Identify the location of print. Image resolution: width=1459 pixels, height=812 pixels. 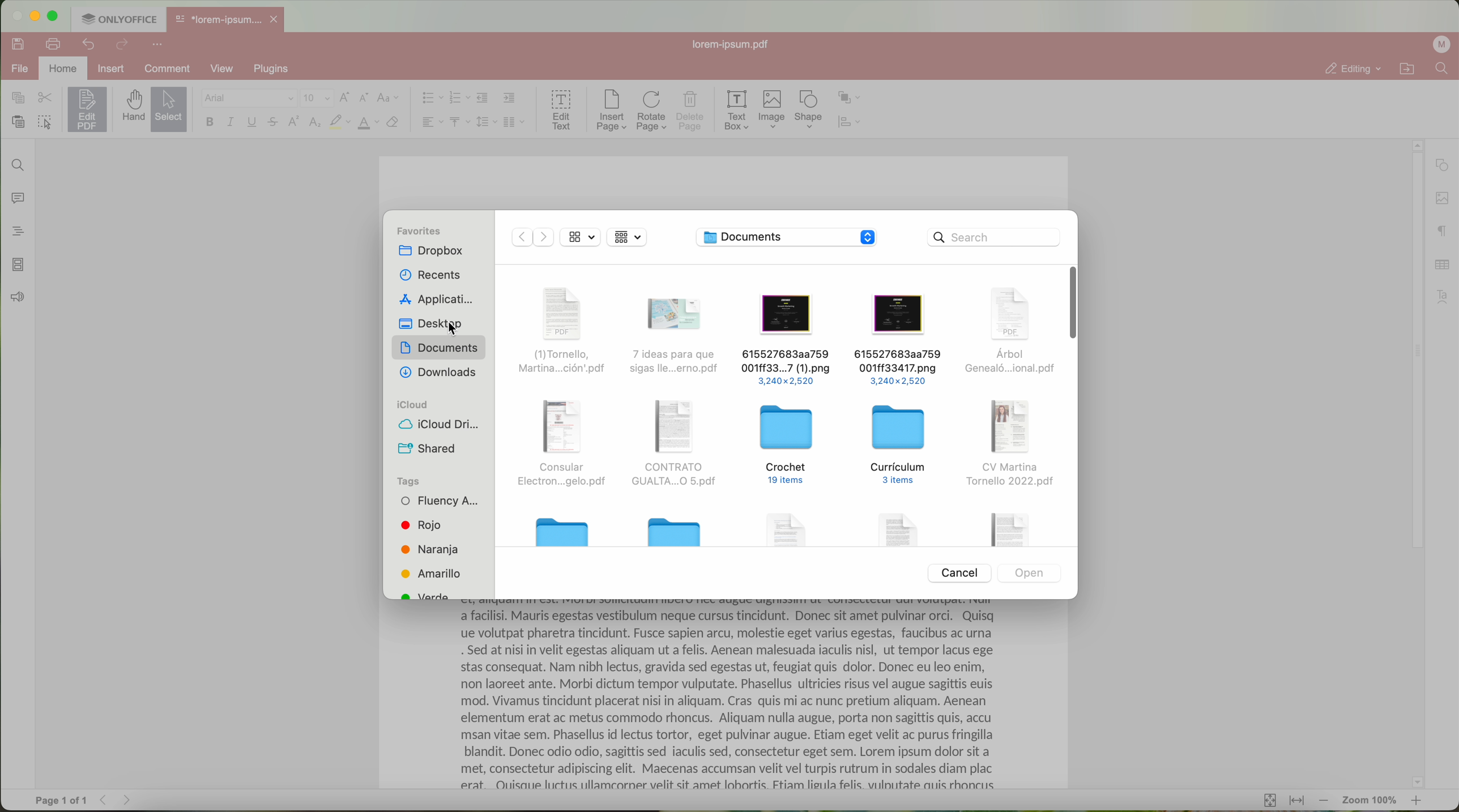
(54, 43).